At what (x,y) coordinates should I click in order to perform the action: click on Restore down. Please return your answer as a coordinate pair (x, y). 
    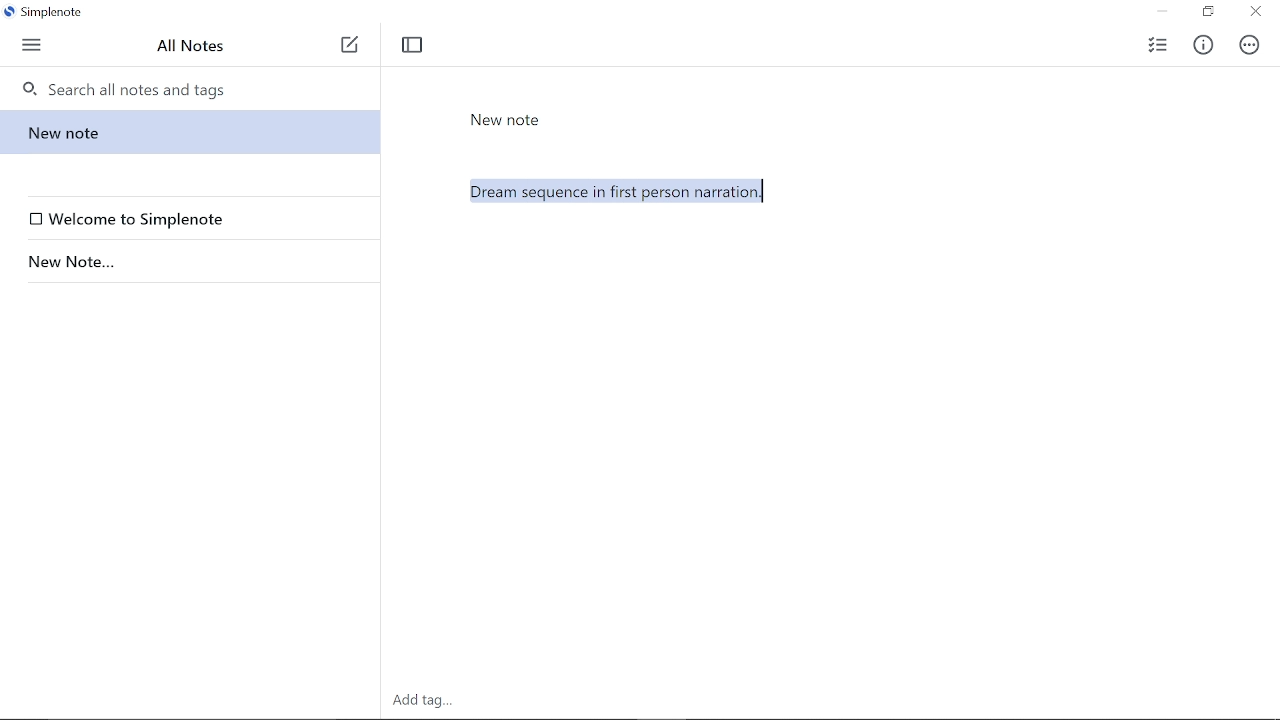
    Looking at the image, I should click on (1207, 13).